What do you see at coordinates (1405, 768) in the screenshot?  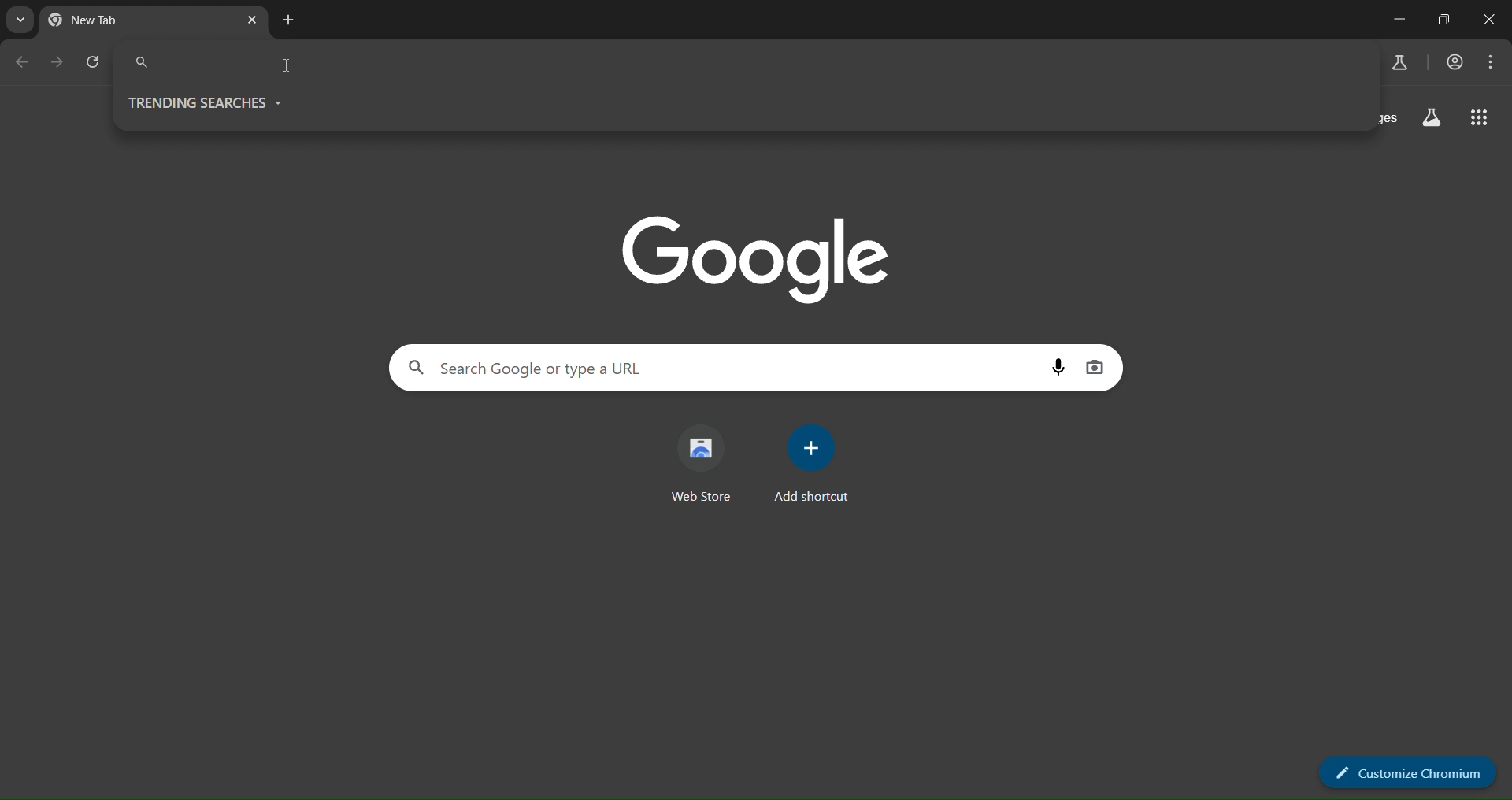 I see `customize chrome` at bounding box center [1405, 768].